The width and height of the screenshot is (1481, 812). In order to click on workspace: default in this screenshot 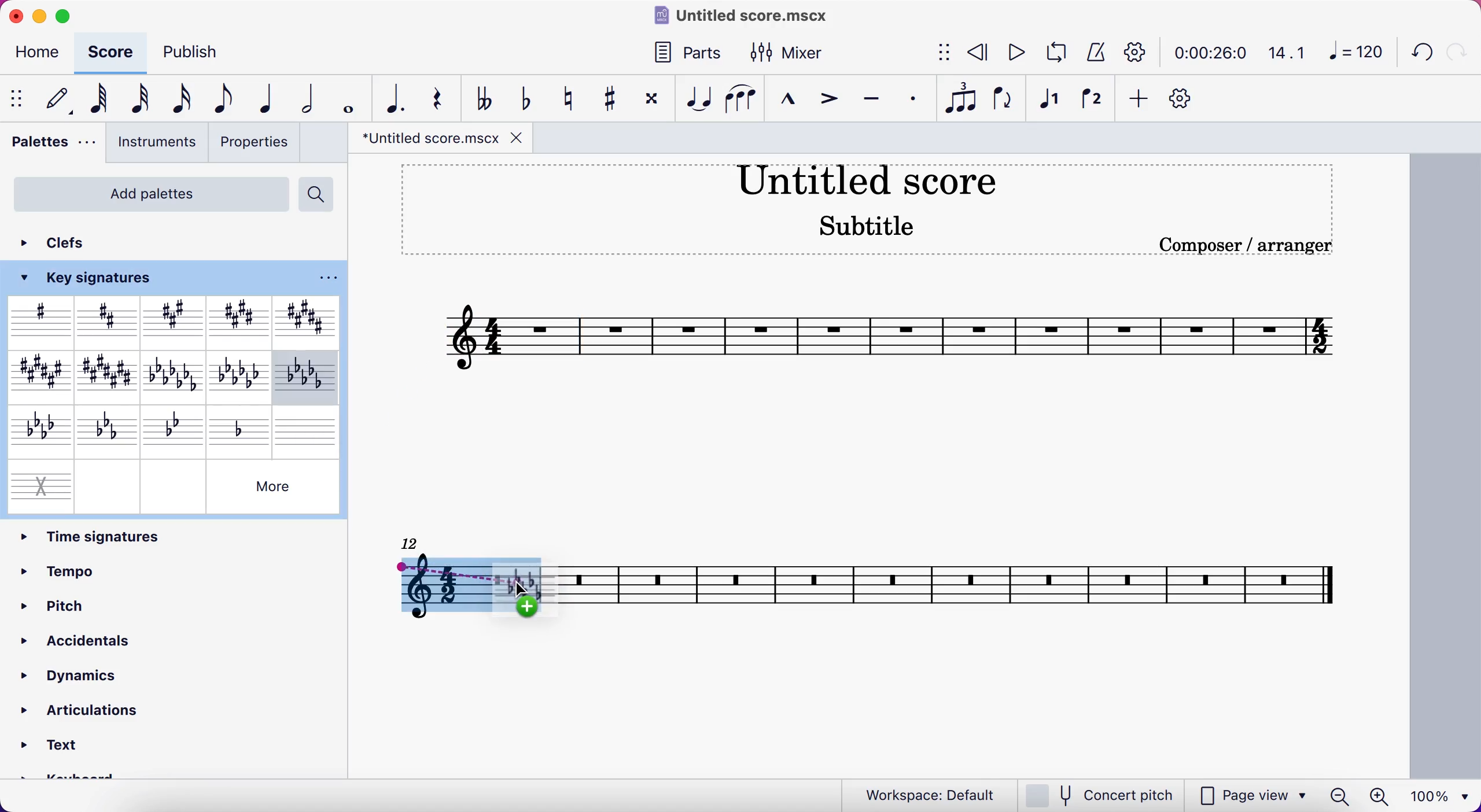, I will do `click(918, 793)`.